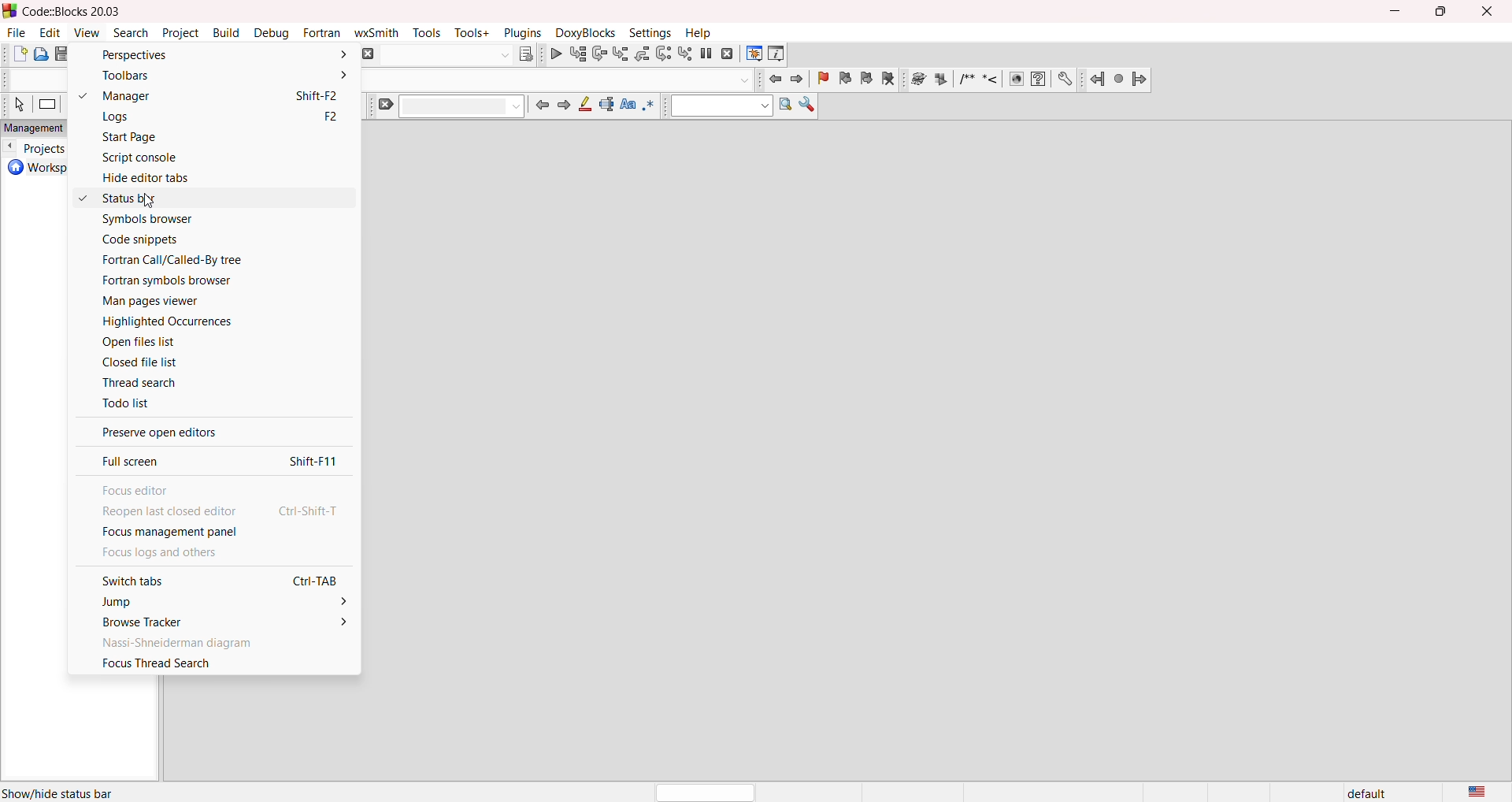 The image size is (1512, 802). What do you see at coordinates (820, 80) in the screenshot?
I see `toggle bookmark ` at bounding box center [820, 80].